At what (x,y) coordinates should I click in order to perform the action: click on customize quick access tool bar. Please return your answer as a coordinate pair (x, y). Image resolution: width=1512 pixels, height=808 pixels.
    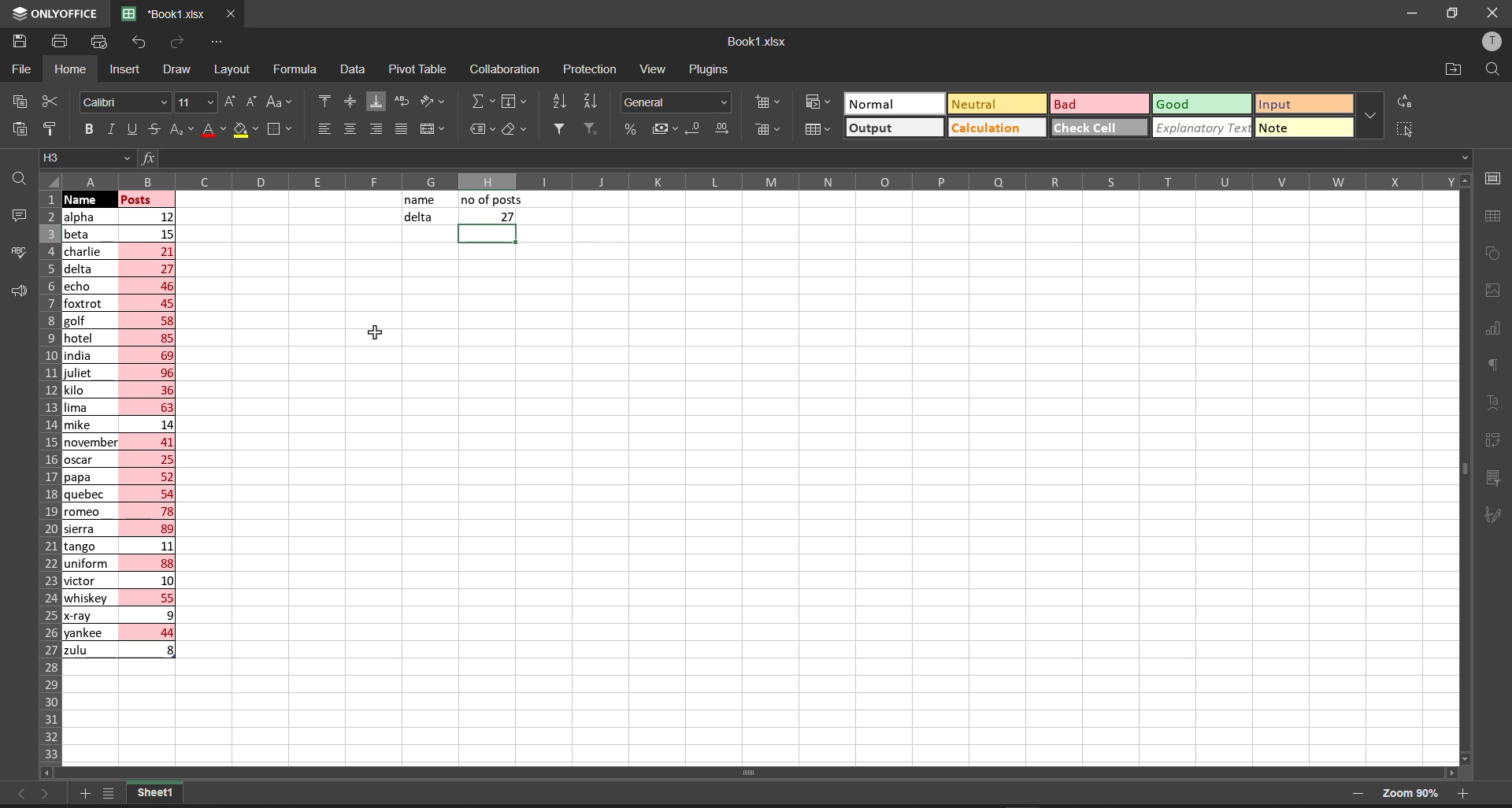
    Looking at the image, I should click on (217, 40).